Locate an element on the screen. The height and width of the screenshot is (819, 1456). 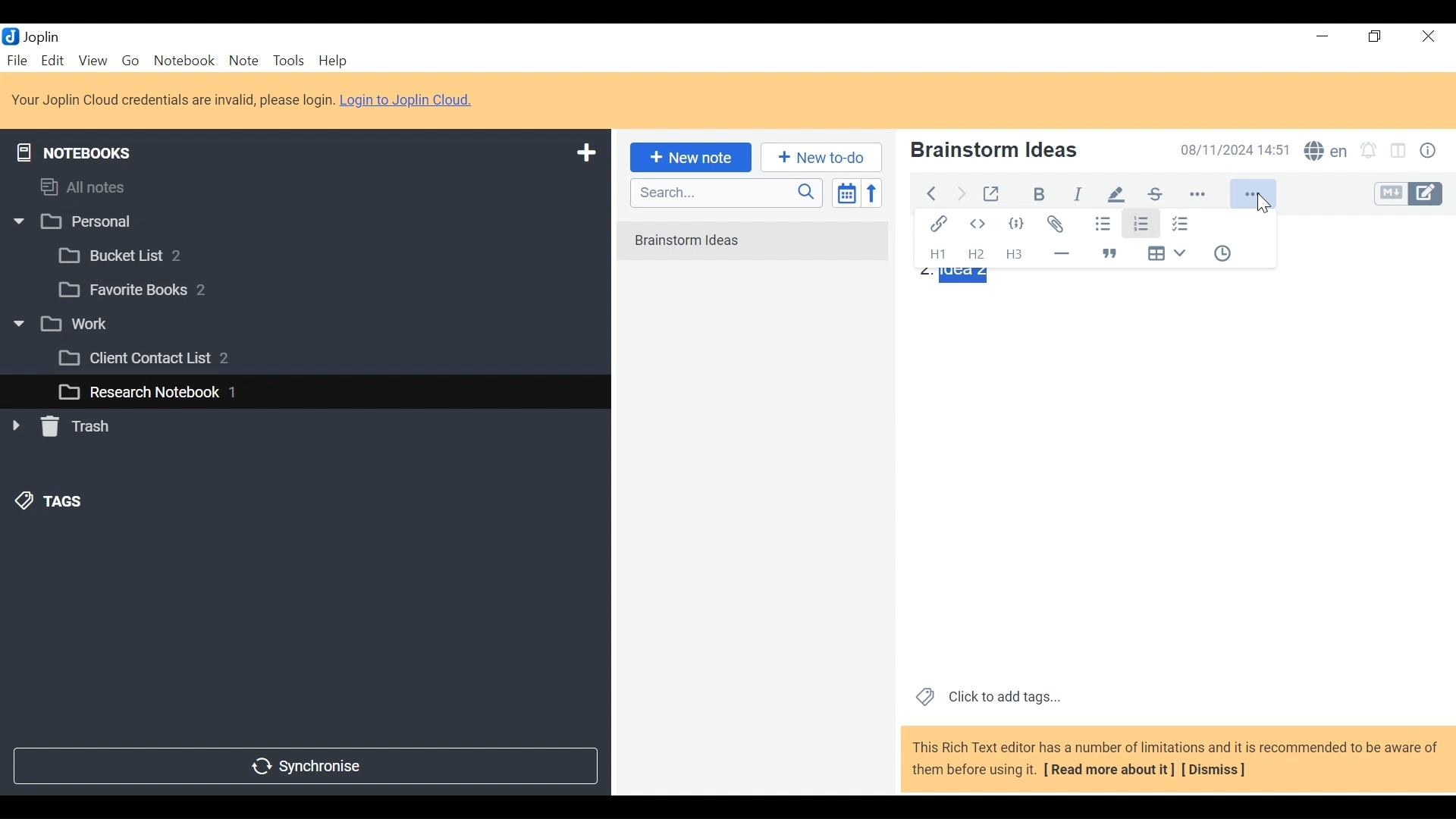
Toggle external editing is located at coordinates (991, 191).